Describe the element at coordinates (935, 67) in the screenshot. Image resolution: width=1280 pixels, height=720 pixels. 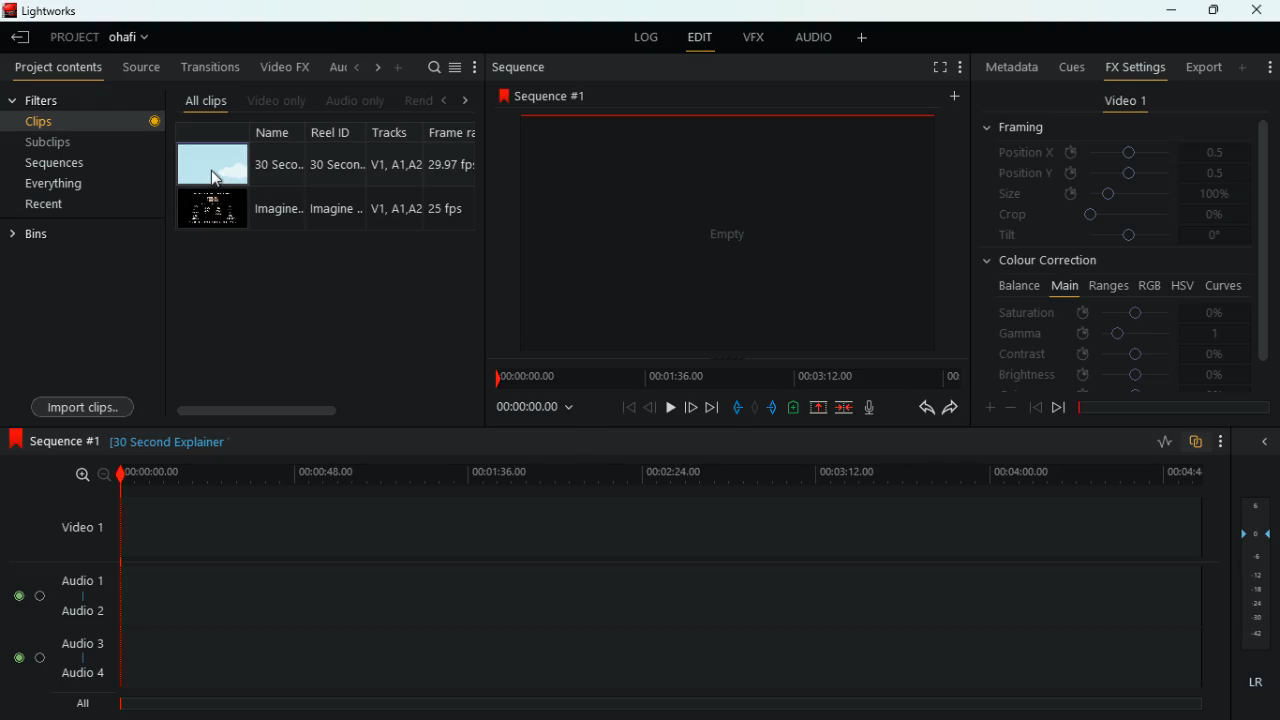
I see `screen` at that location.